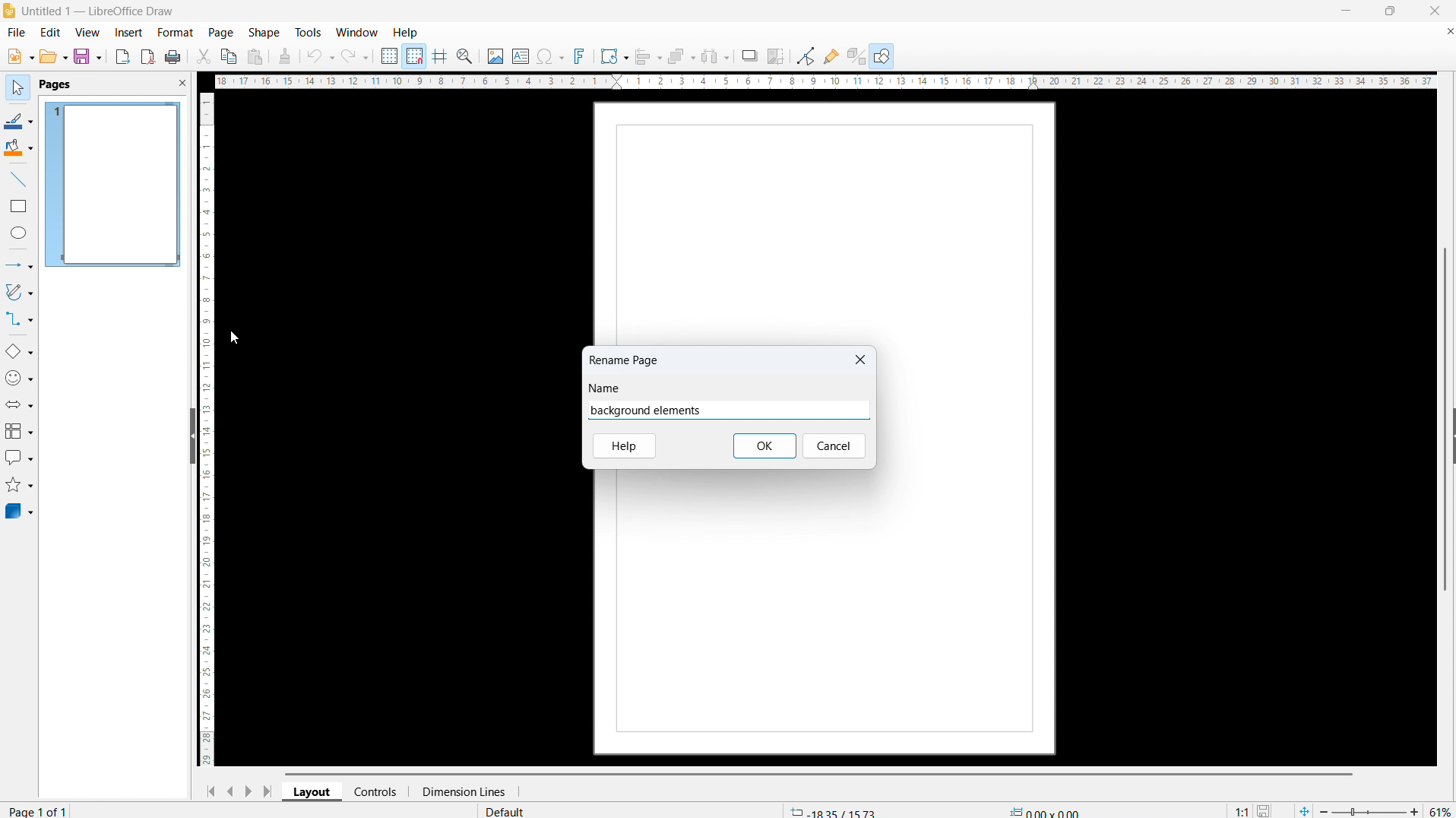  Describe the element at coordinates (356, 55) in the screenshot. I see `redo ` at that location.